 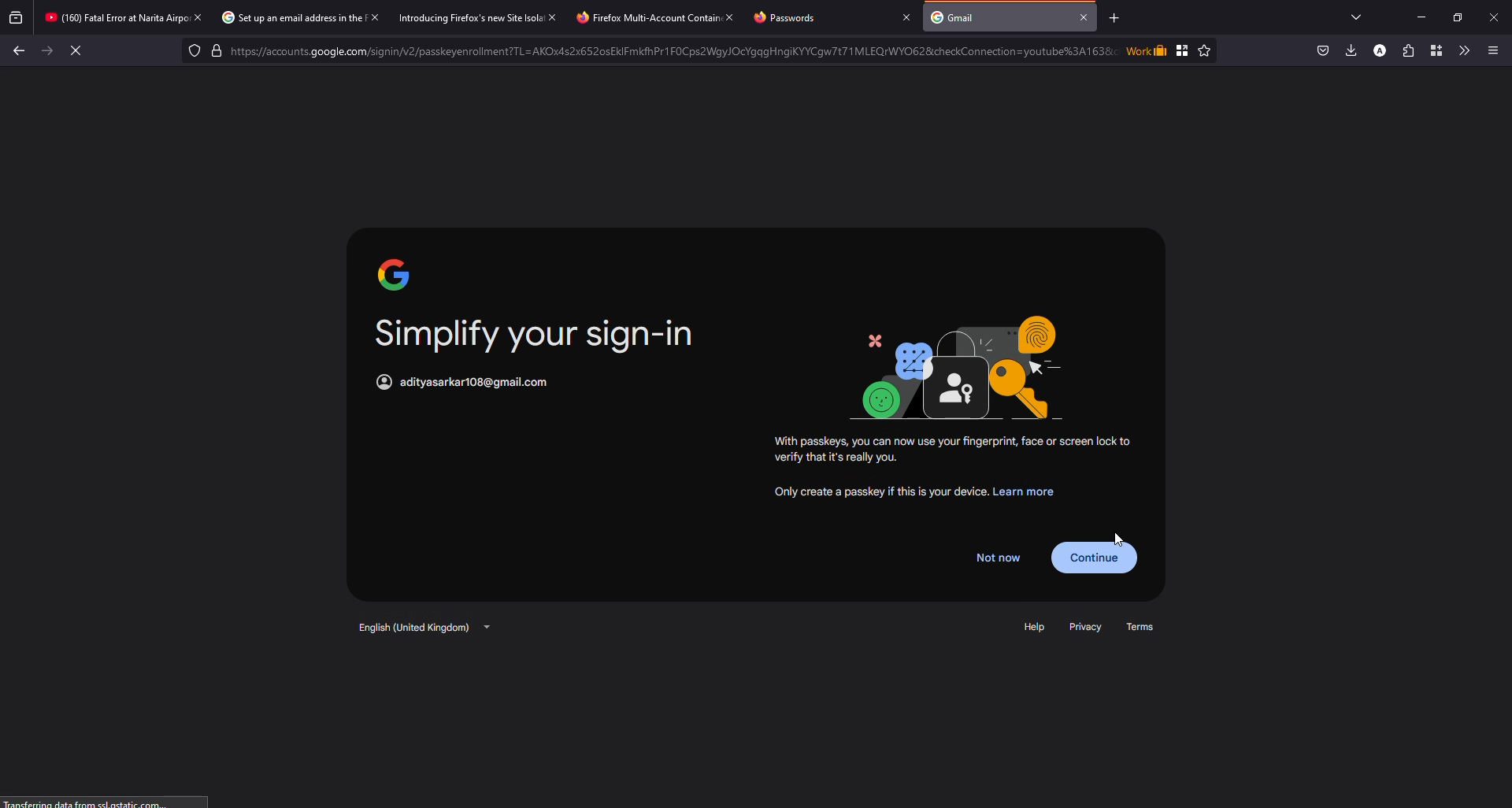 What do you see at coordinates (1145, 51) in the screenshot?
I see `Work` at bounding box center [1145, 51].